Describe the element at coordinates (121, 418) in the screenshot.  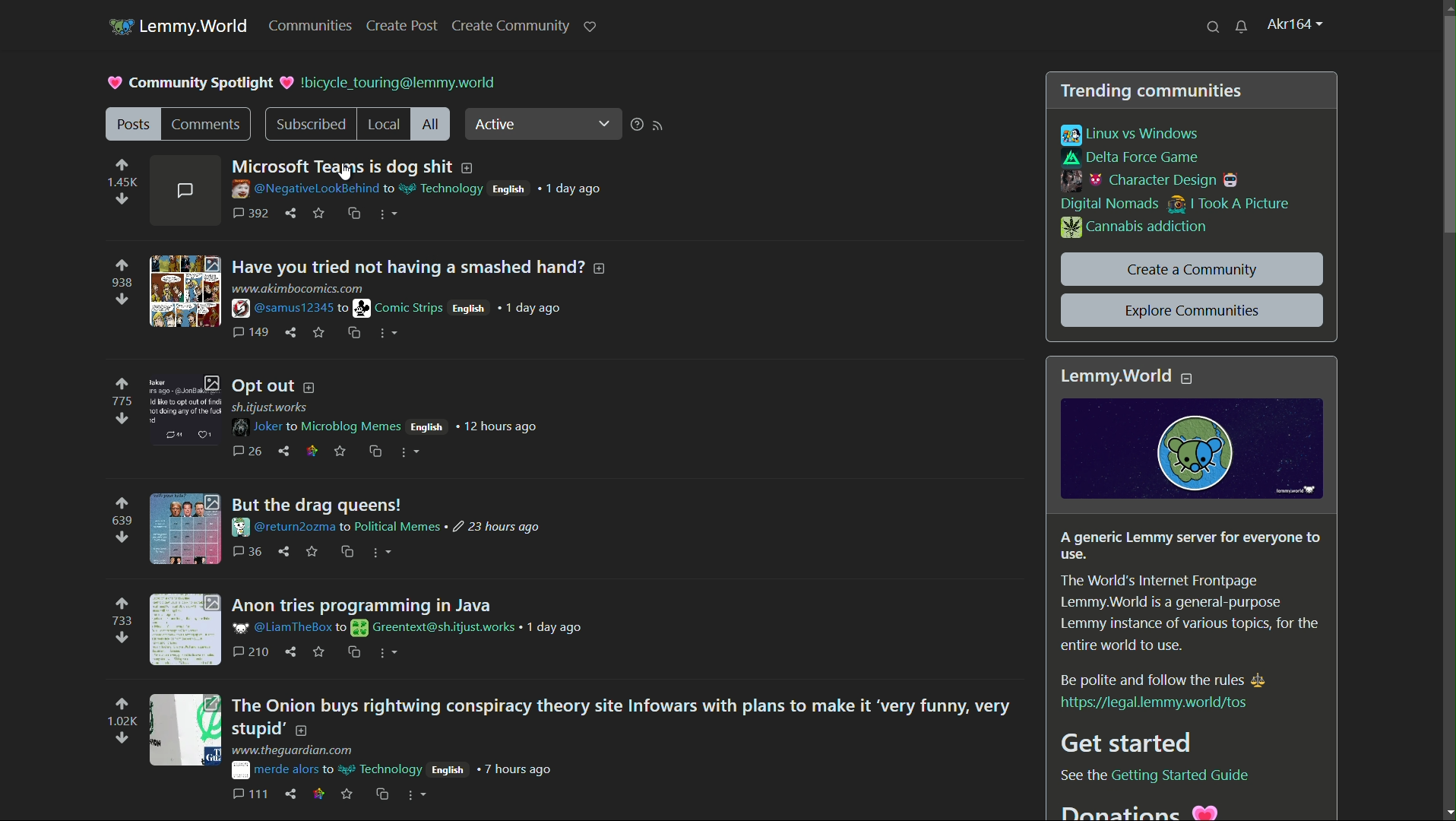
I see `downvote` at that location.